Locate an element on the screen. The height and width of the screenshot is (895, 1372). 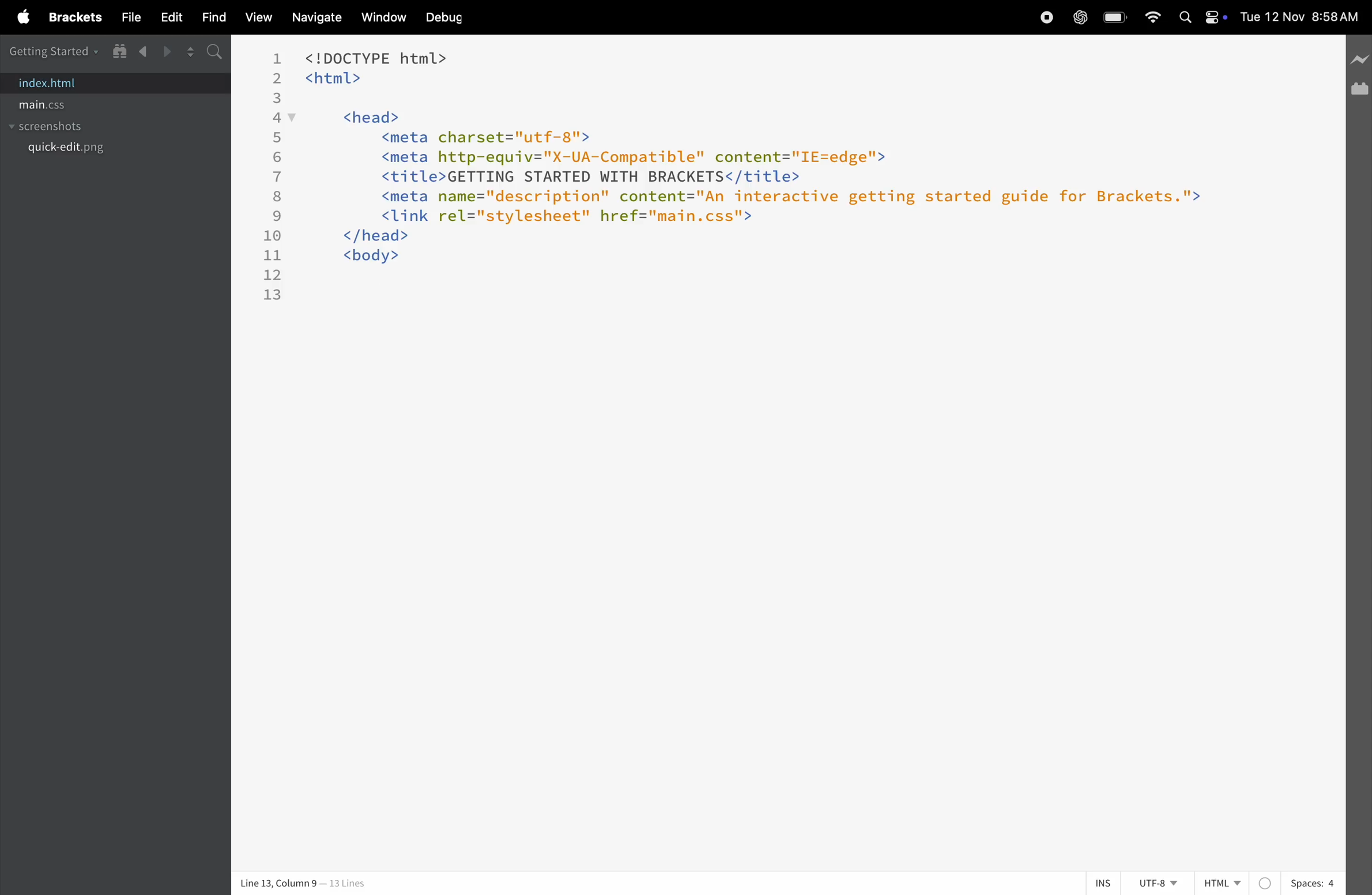
html is located at coordinates (1239, 881).